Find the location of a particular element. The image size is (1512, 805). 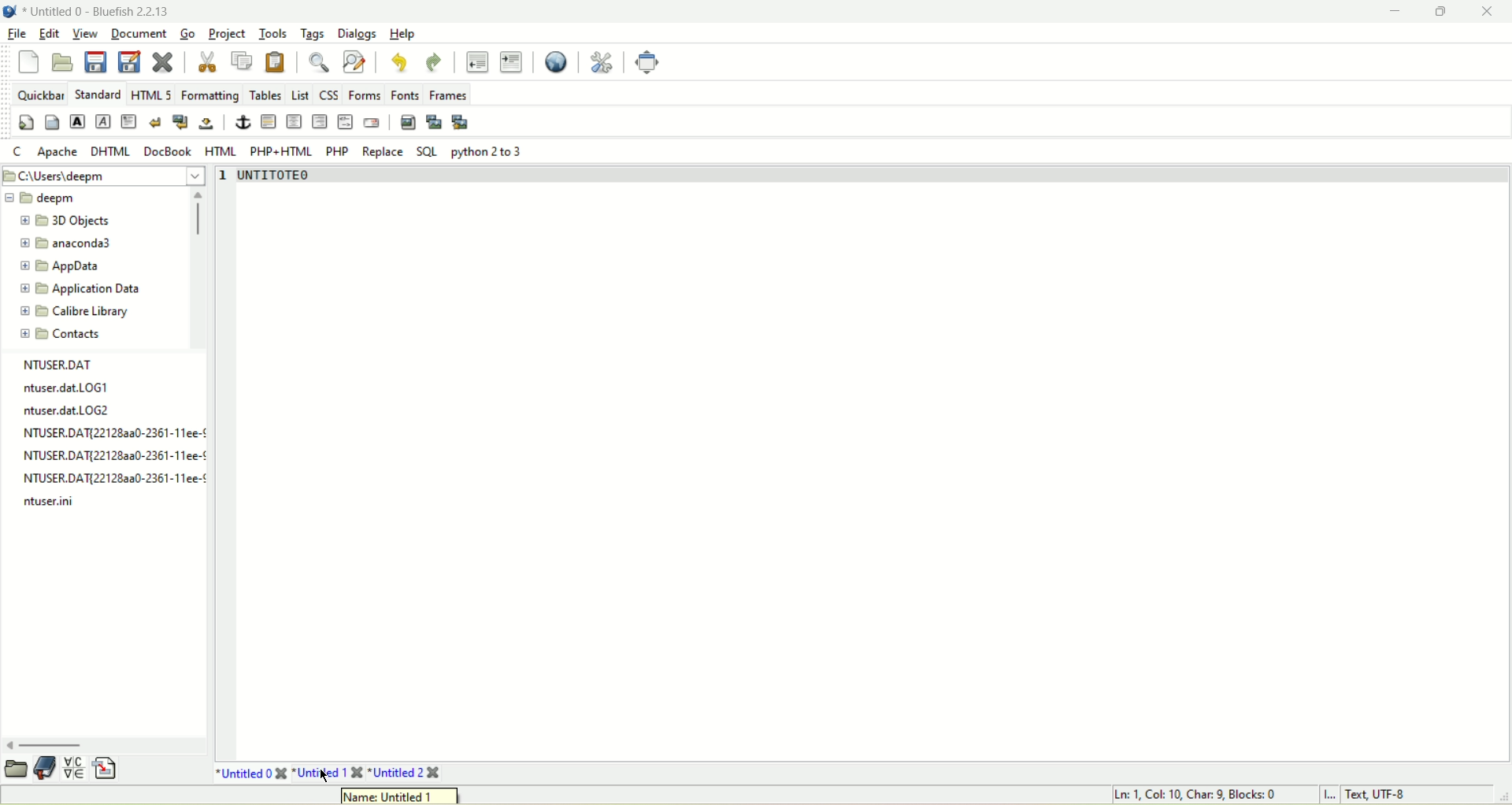

line number is located at coordinates (223, 184).